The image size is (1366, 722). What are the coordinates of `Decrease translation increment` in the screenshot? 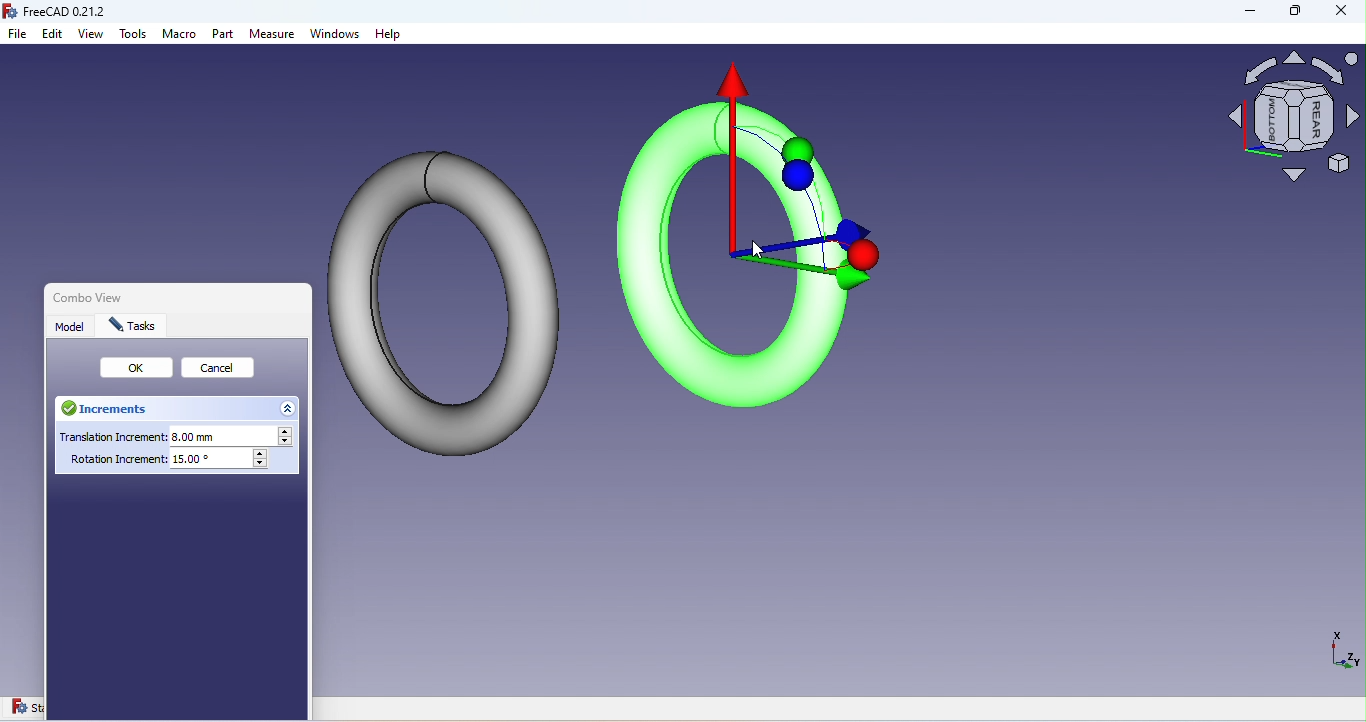 It's located at (288, 443).